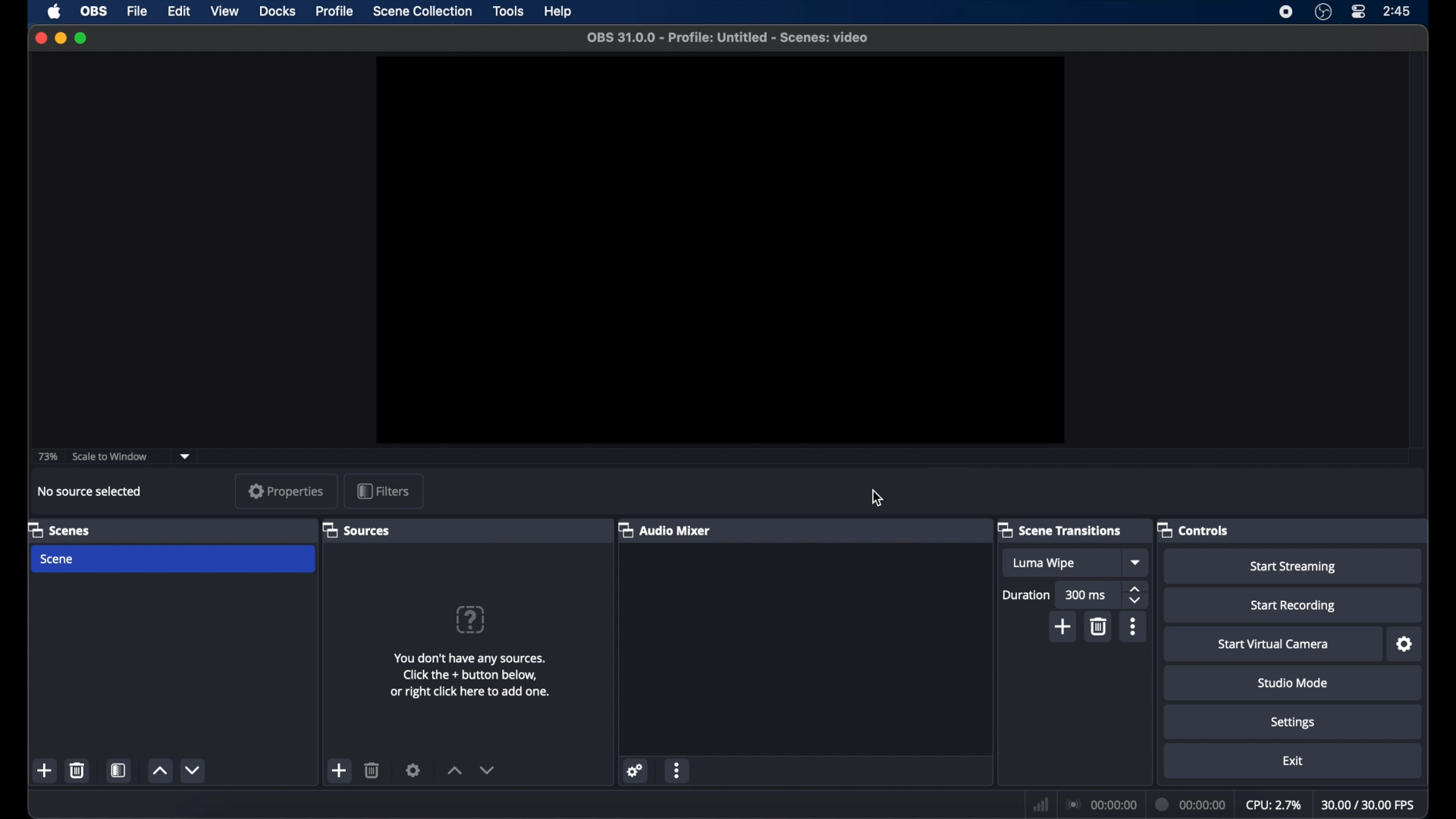 This screenshot has width=1456, height=819. Describe the element at coordinates (1293, 761) in the screenshot. I see `exit` at that location.